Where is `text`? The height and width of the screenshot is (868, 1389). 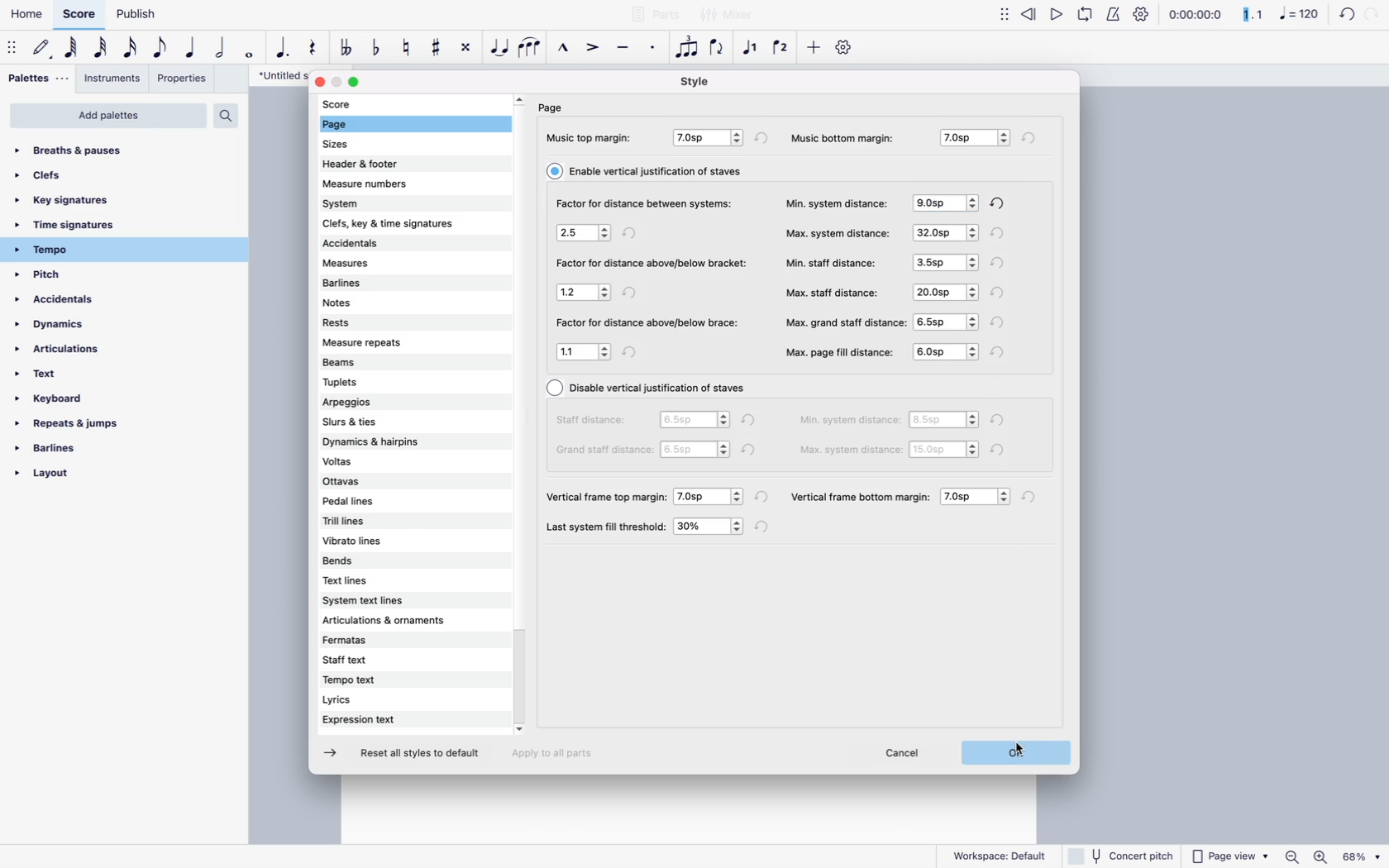 text is located at coordinates (53, 379).